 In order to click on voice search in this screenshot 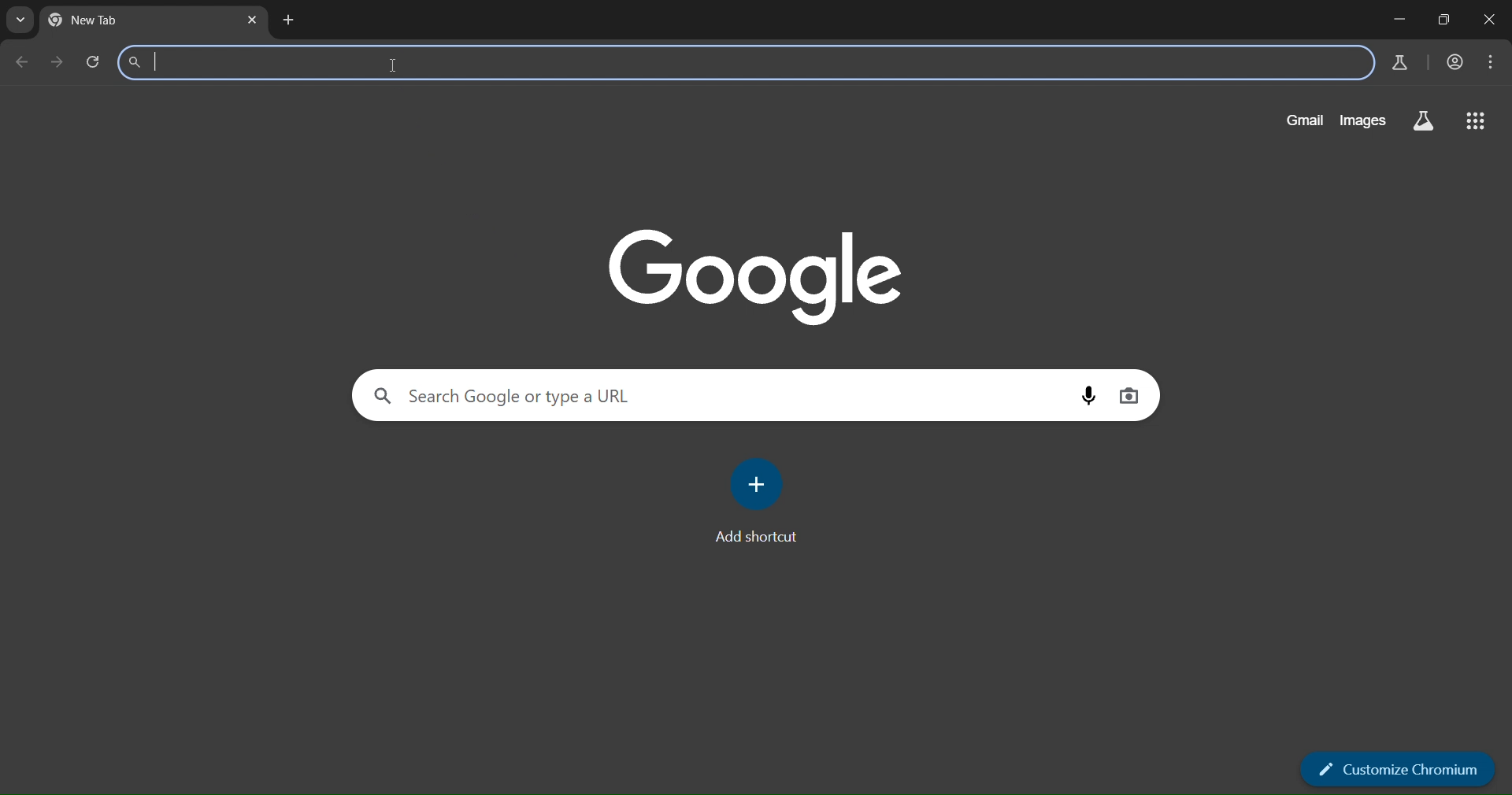, I will do `click(1088, 395)`.